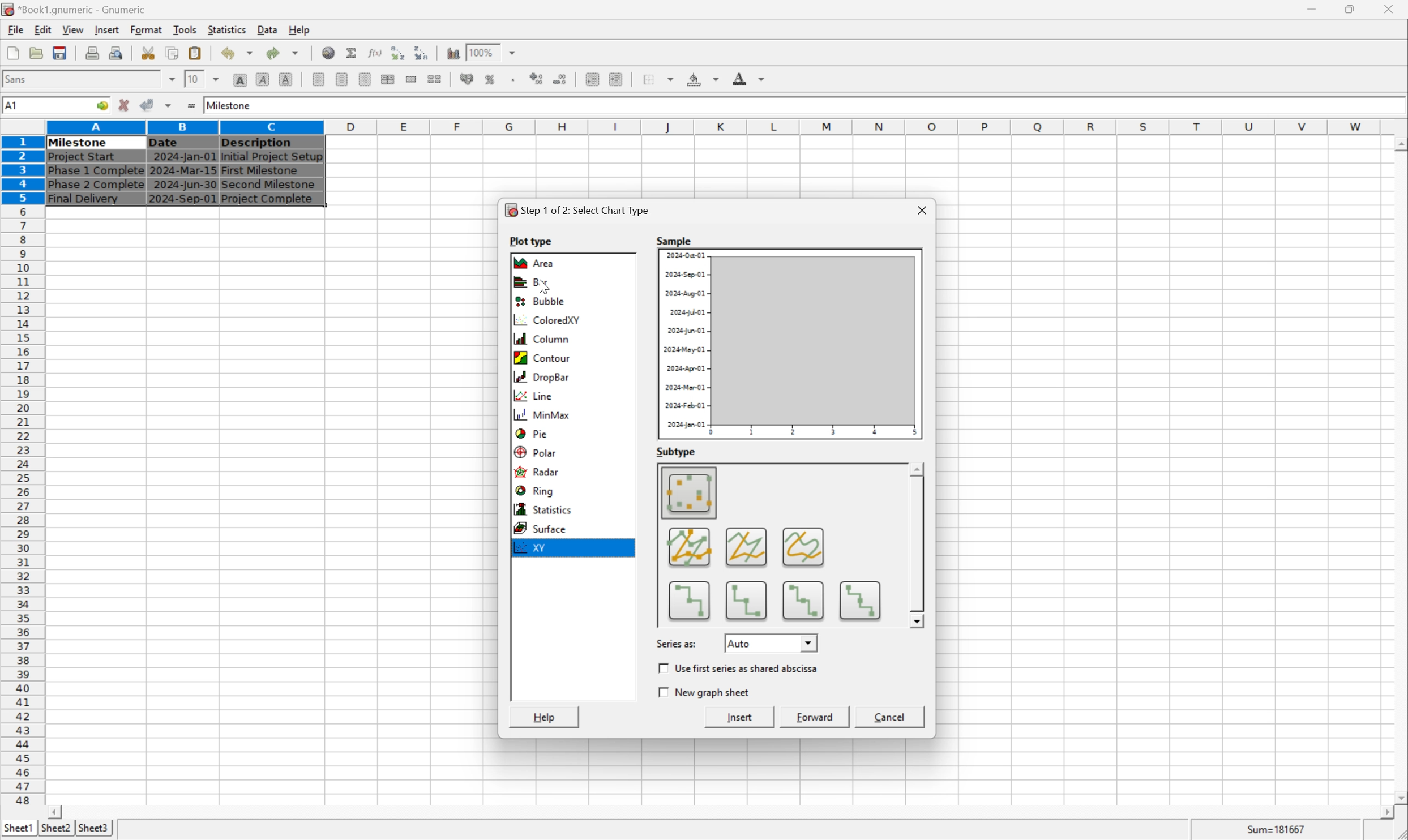  I want to click on radar, so click(540, 473).